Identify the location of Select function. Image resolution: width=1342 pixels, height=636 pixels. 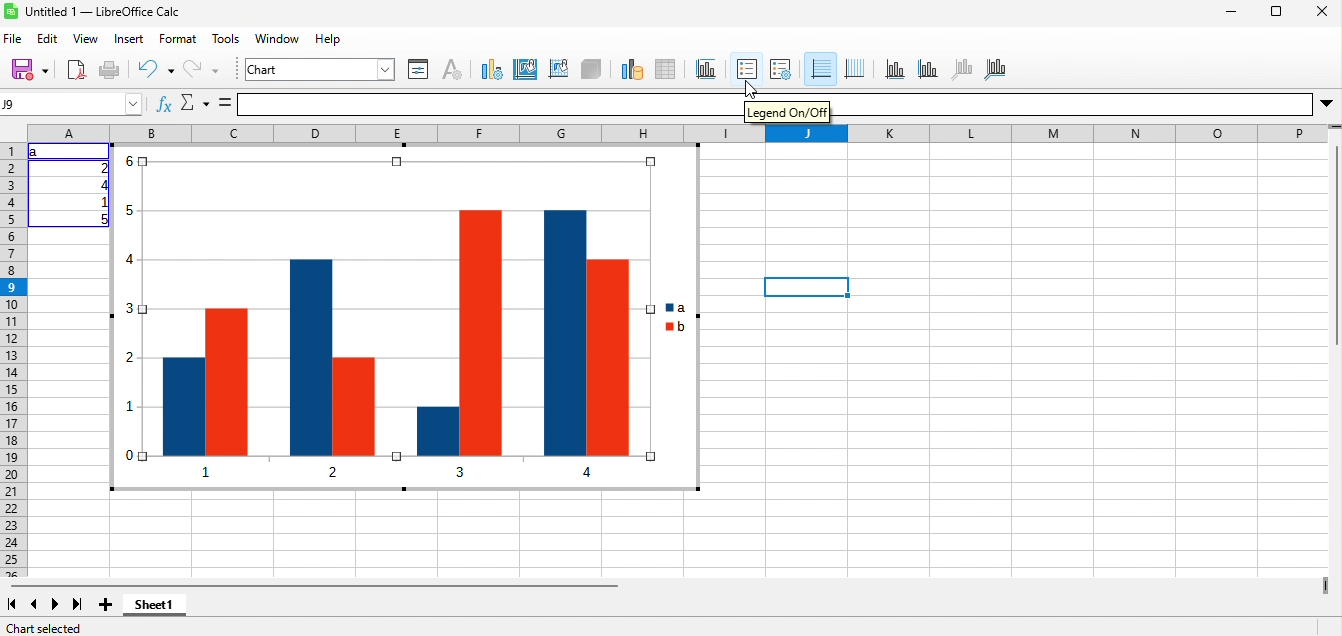
(196, 103).